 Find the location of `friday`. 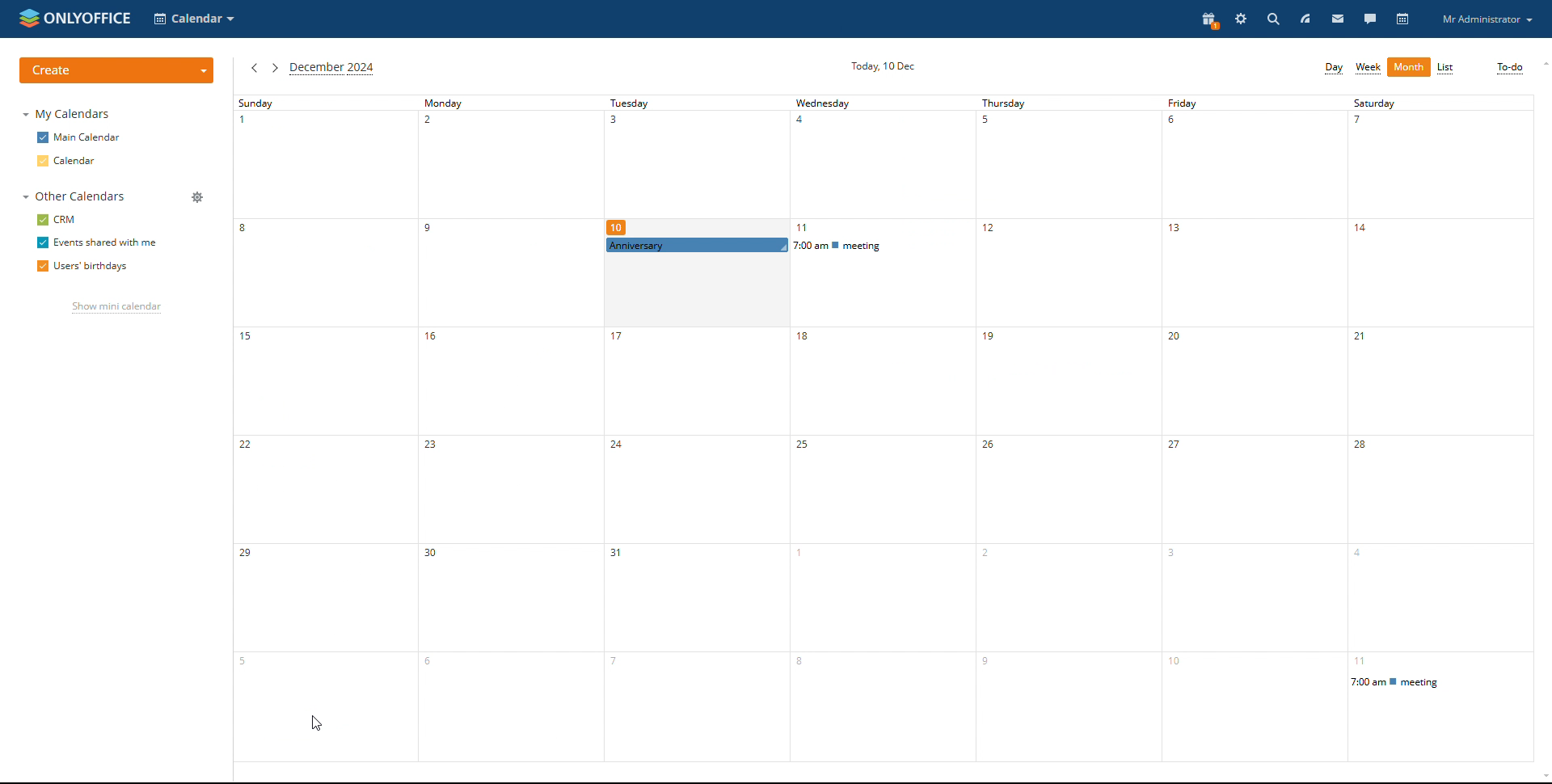

friday is located at coordinates (1255, 428).